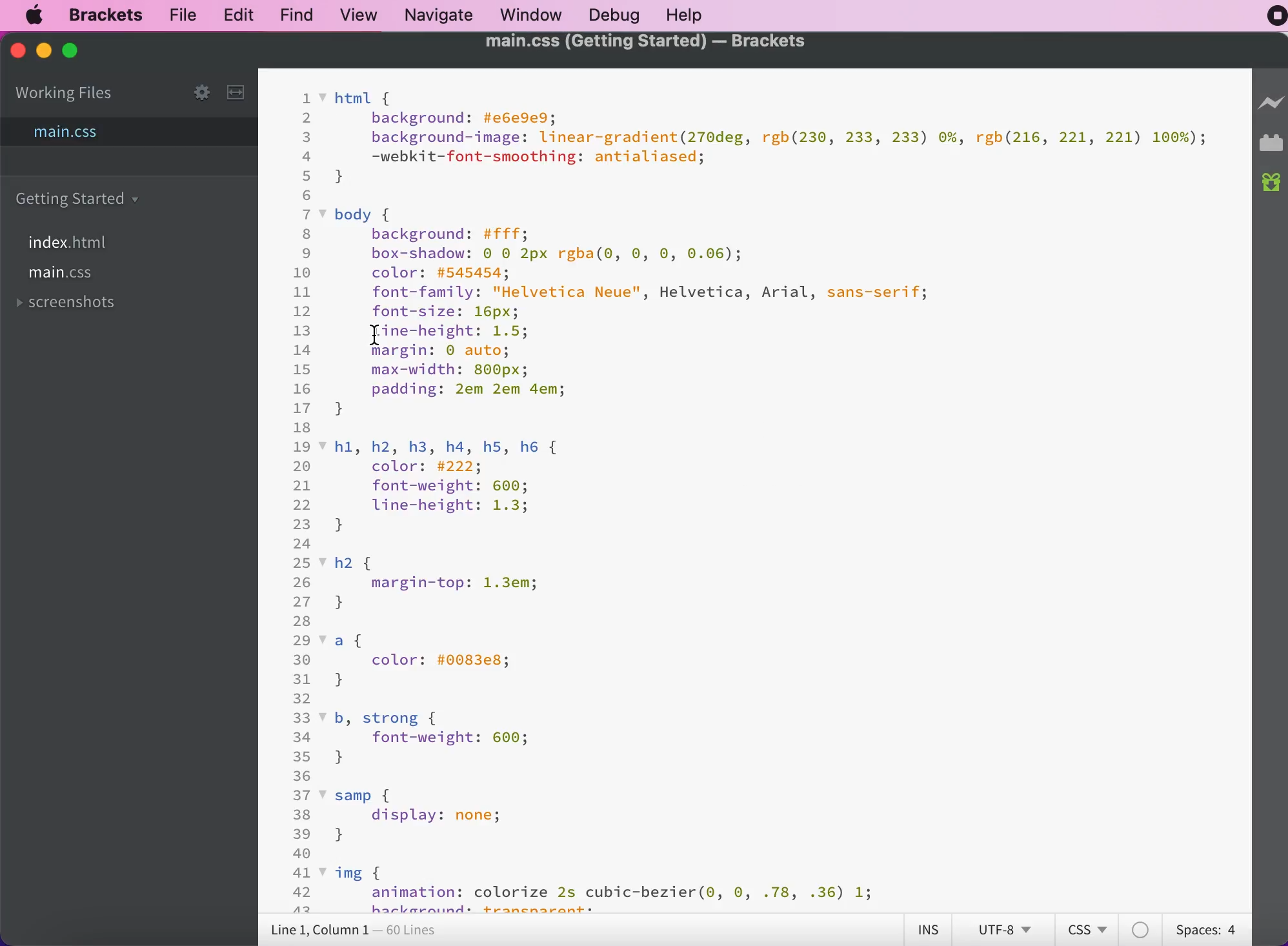  Describe the element at coordinates (302, 524) in the screenshot. I see `23` at that location.